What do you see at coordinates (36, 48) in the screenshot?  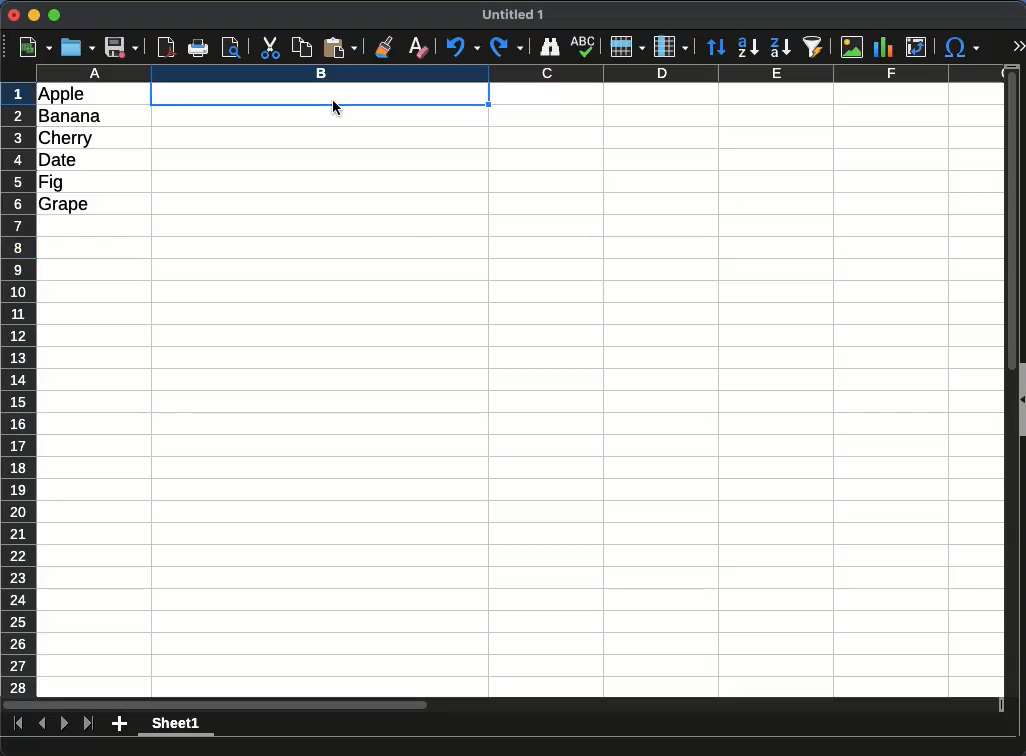 I see `new` at bounding box center [36, 48].